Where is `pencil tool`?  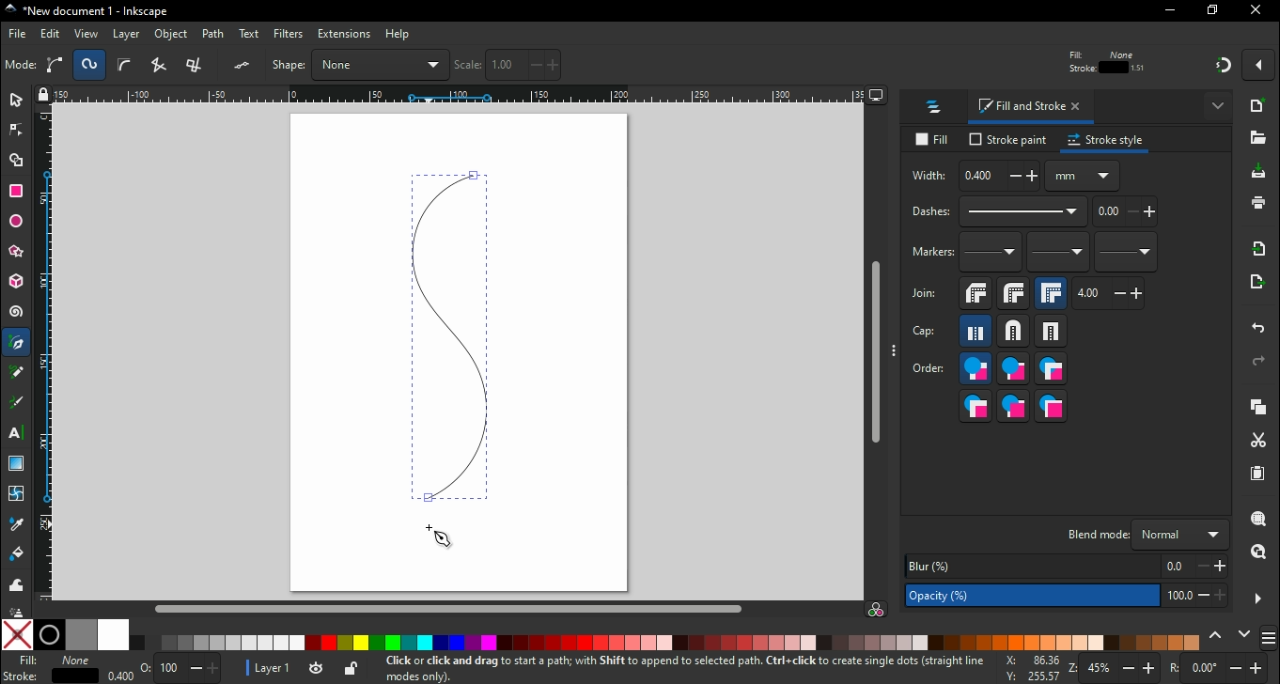
pencil tool is located at coordinates (17, 379).